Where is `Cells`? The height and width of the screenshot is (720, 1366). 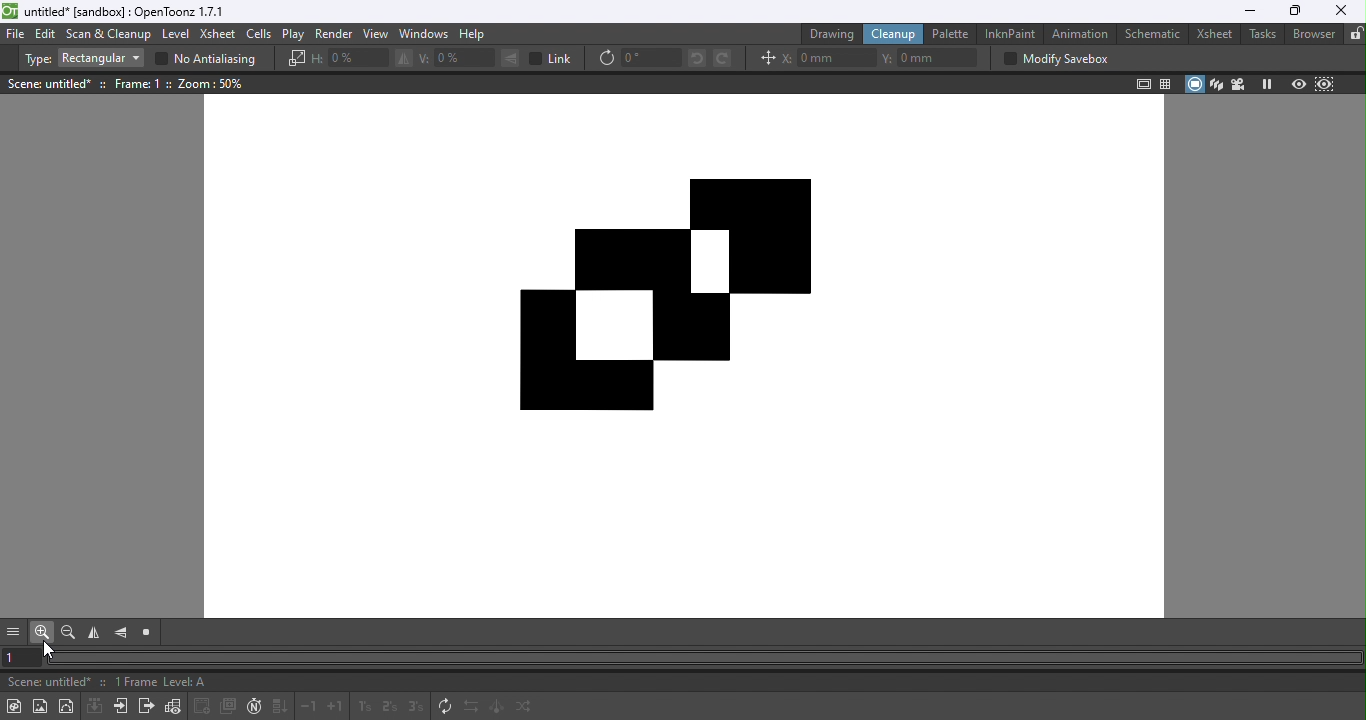
Cells is located at coordinates (258, 35).